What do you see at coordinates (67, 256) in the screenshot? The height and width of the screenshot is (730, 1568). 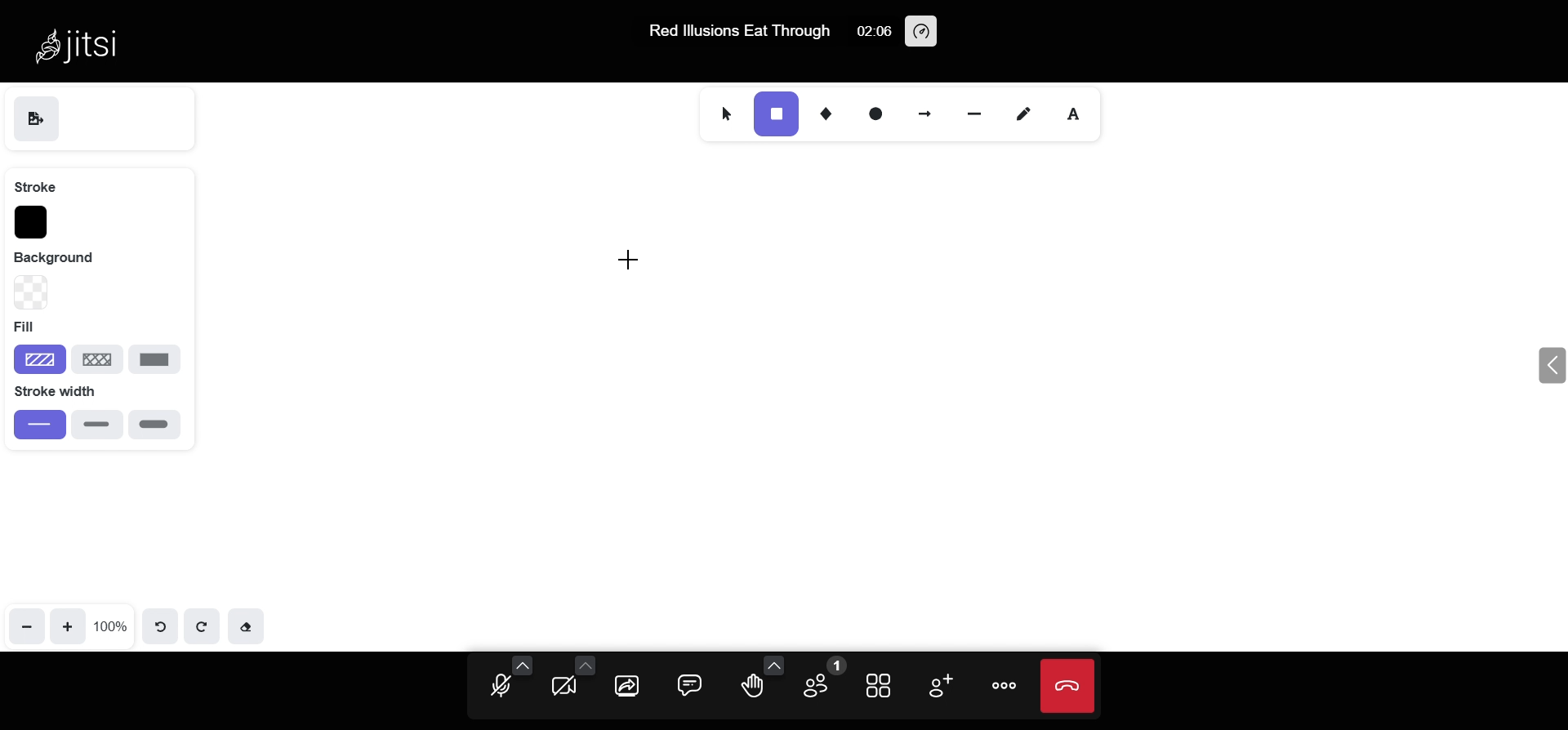 I see `background` at bounding box center [67, 256].